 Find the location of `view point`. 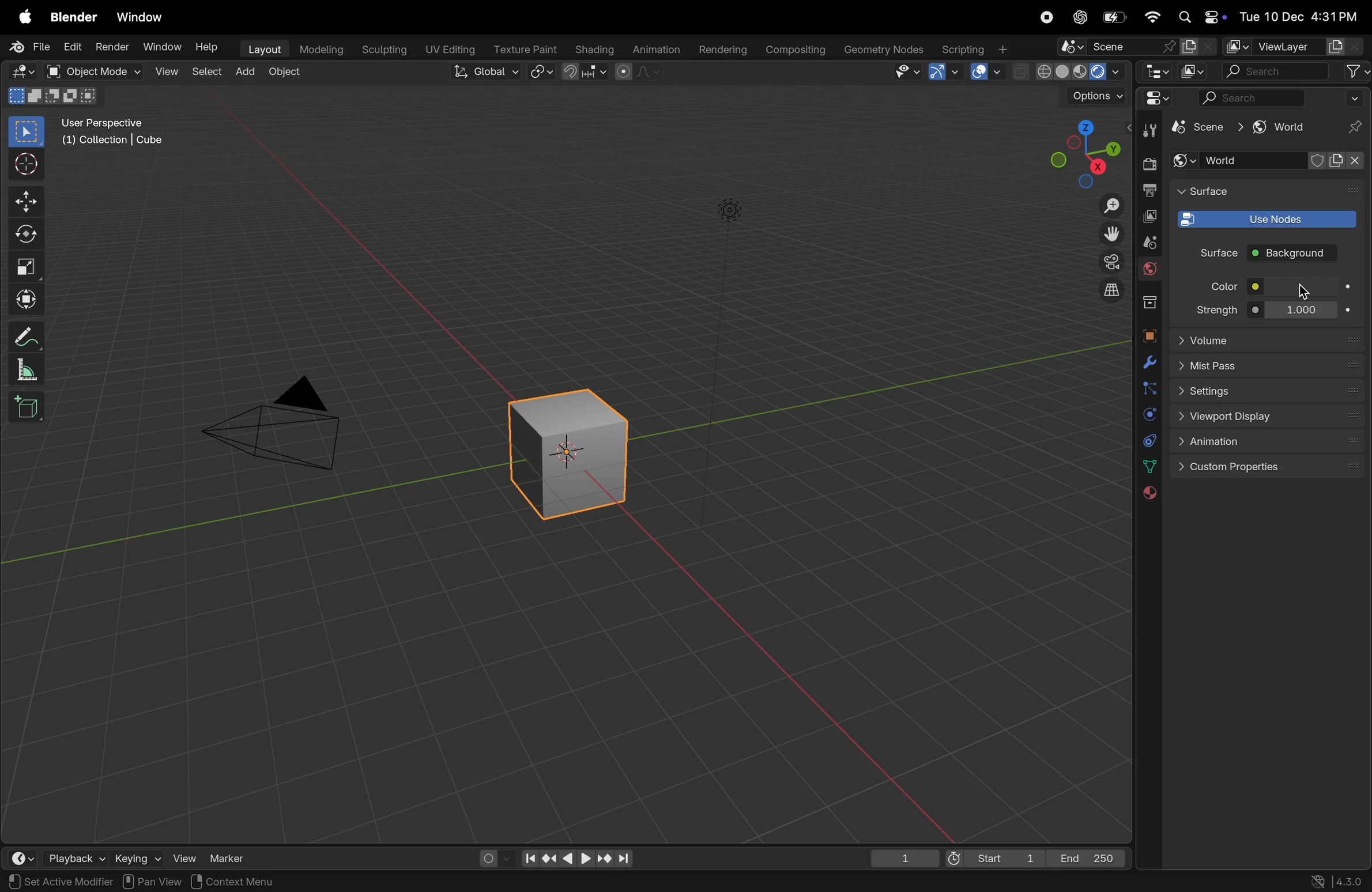

view point is located at coordinates (1083, 152).